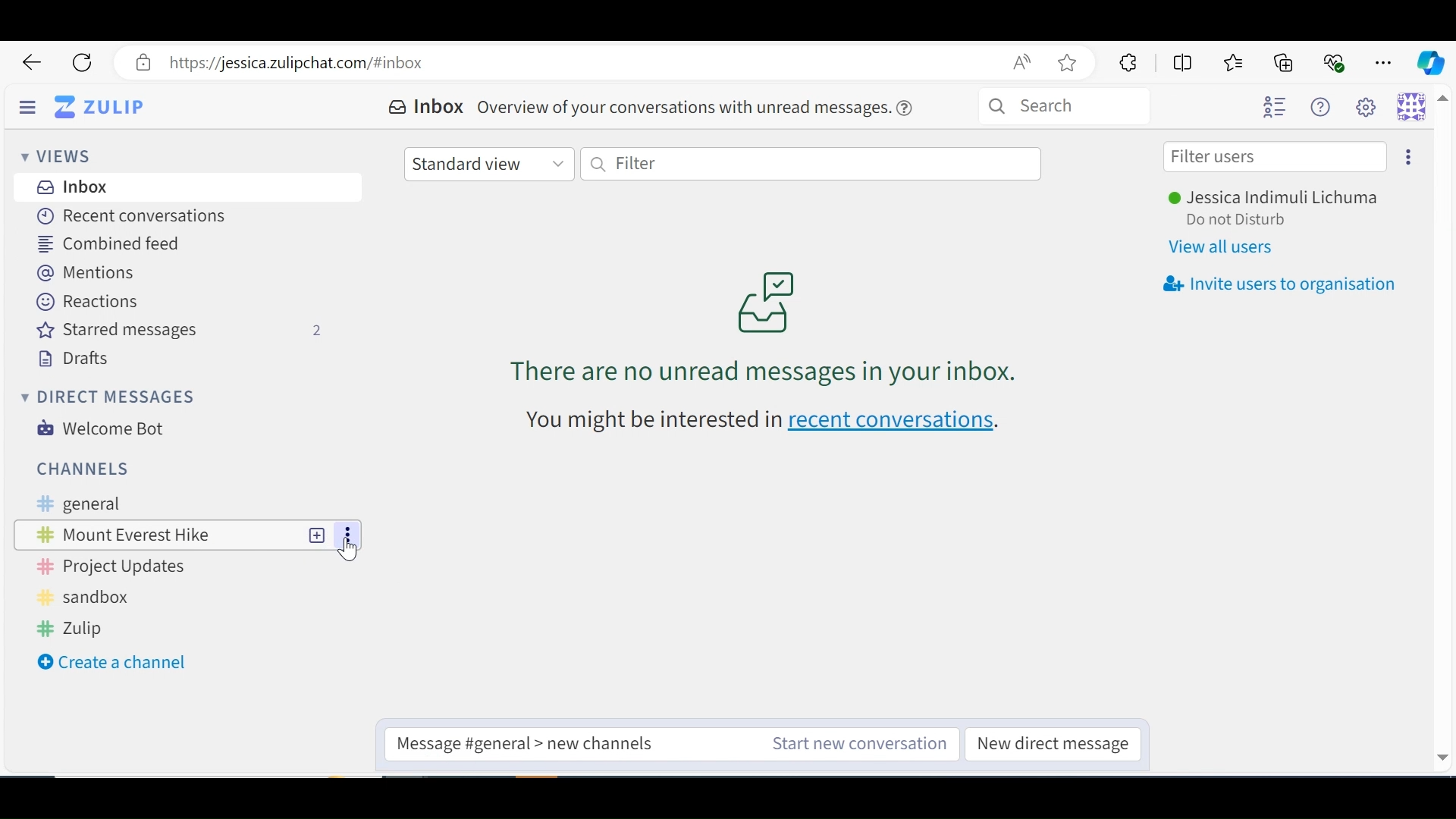 Image resolution: width=1456 pixels, height=819 pixels. I want to click on Channels, so click(89, 469).